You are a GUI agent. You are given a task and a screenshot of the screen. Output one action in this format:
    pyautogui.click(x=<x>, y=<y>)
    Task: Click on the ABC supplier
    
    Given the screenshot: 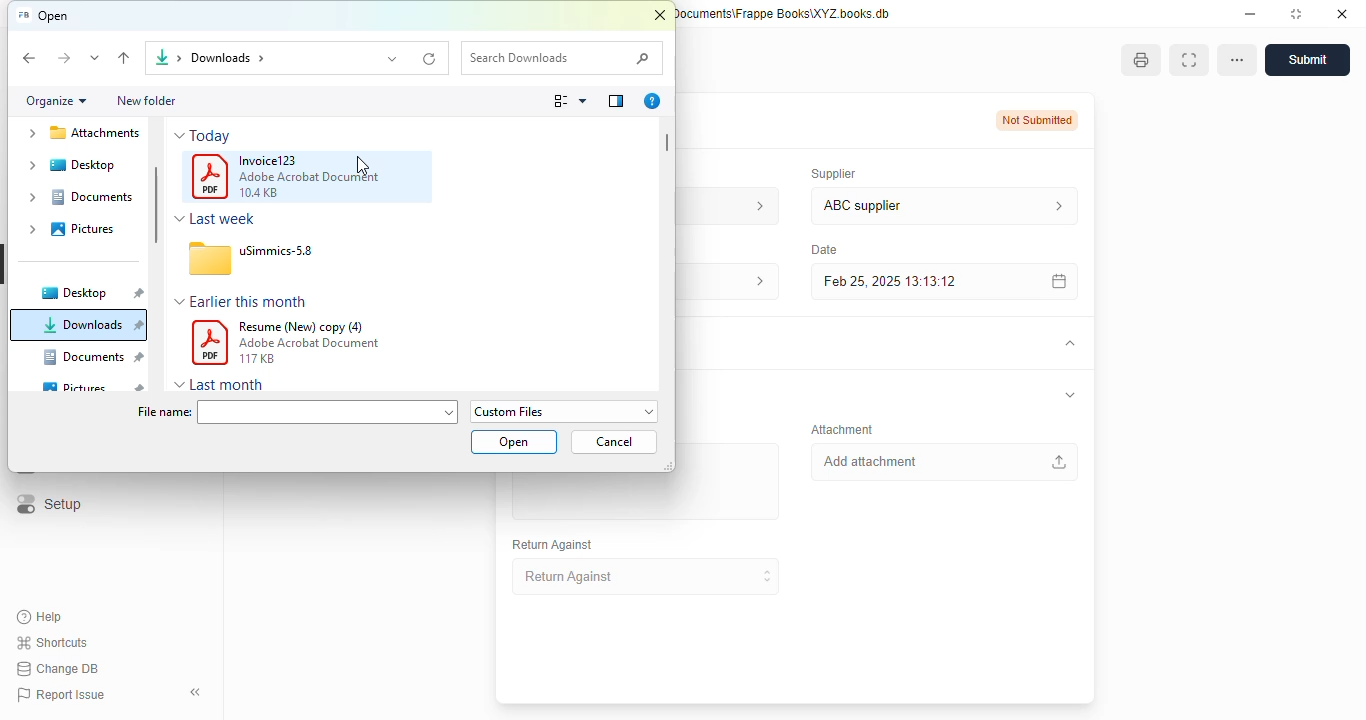 What is the action you would take?
    pyautogui.click(x=906, y=206)
    